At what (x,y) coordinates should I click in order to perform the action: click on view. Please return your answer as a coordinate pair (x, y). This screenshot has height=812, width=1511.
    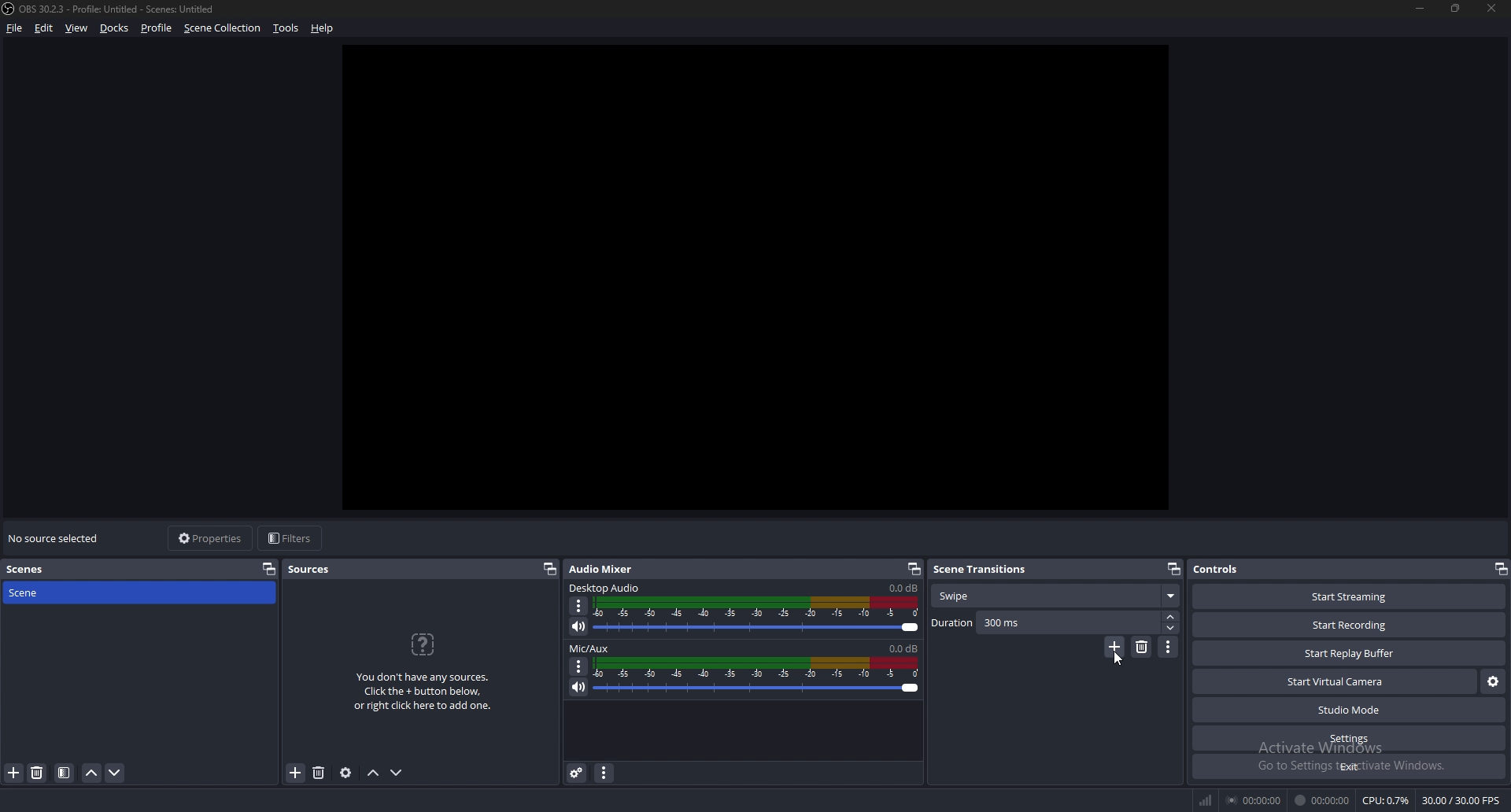
    Looking at the image, I should click on (77, 28).